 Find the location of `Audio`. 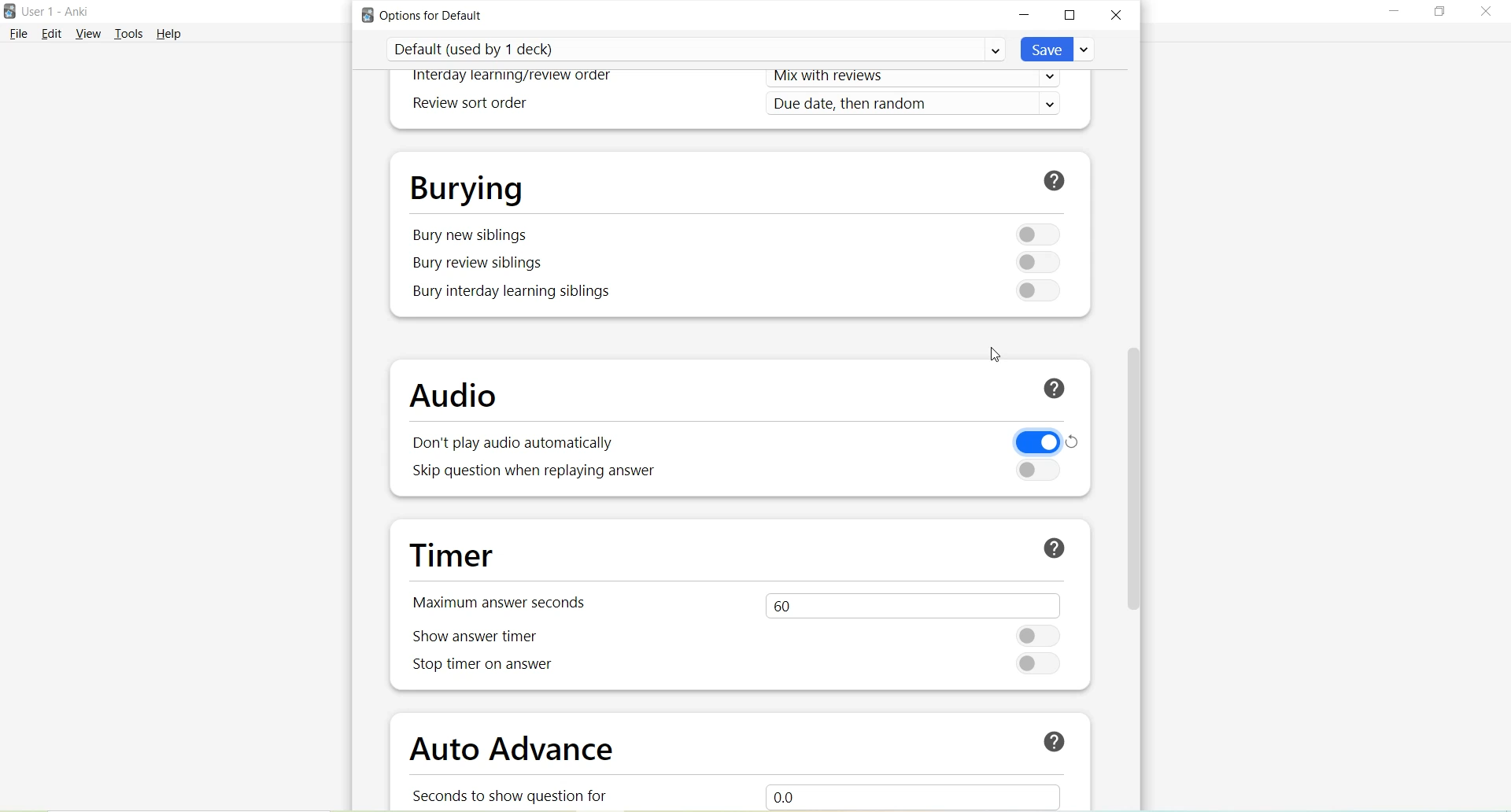

Audio is located at coordinates (461, 397).